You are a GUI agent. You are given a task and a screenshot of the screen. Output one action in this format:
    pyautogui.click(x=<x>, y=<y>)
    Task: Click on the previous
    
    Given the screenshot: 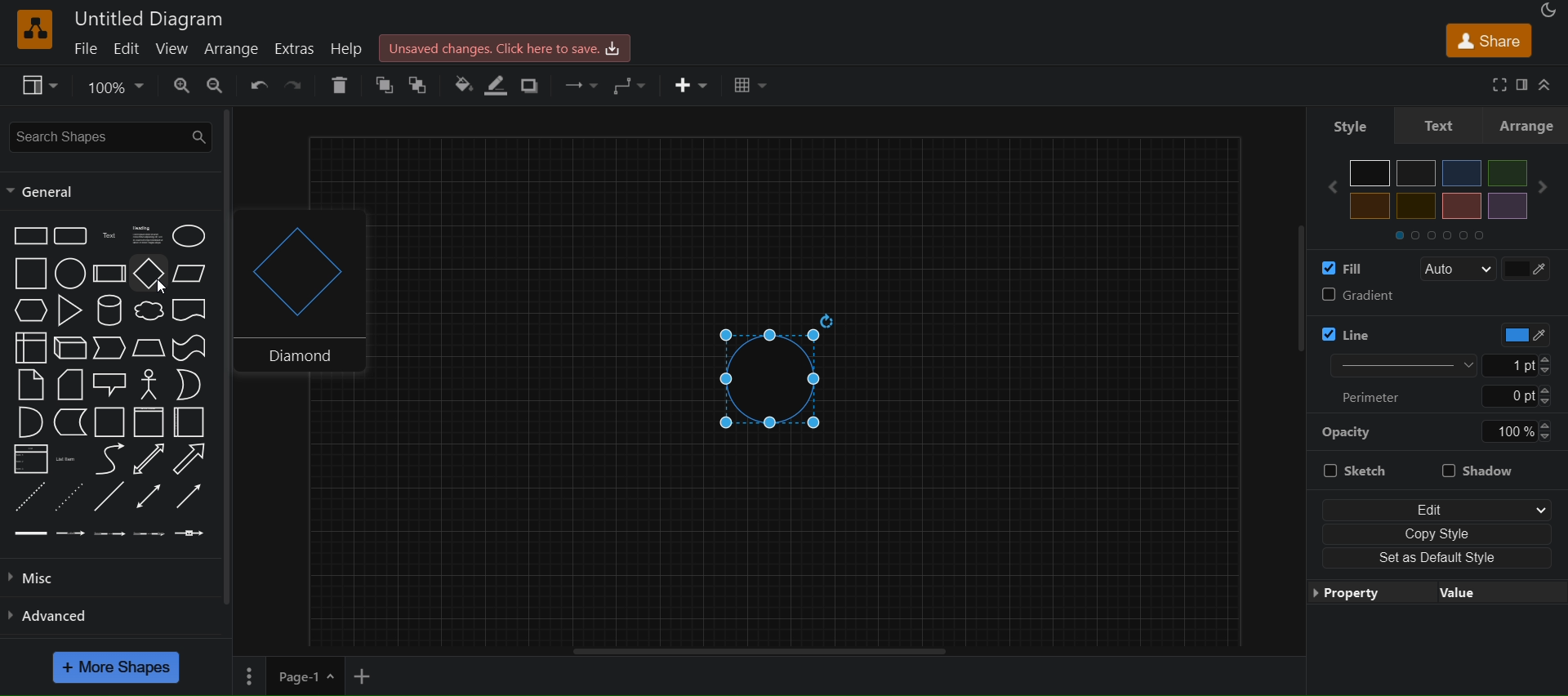 What is the action you would take?
    pyautogui.click(x=1325, y=187)
    